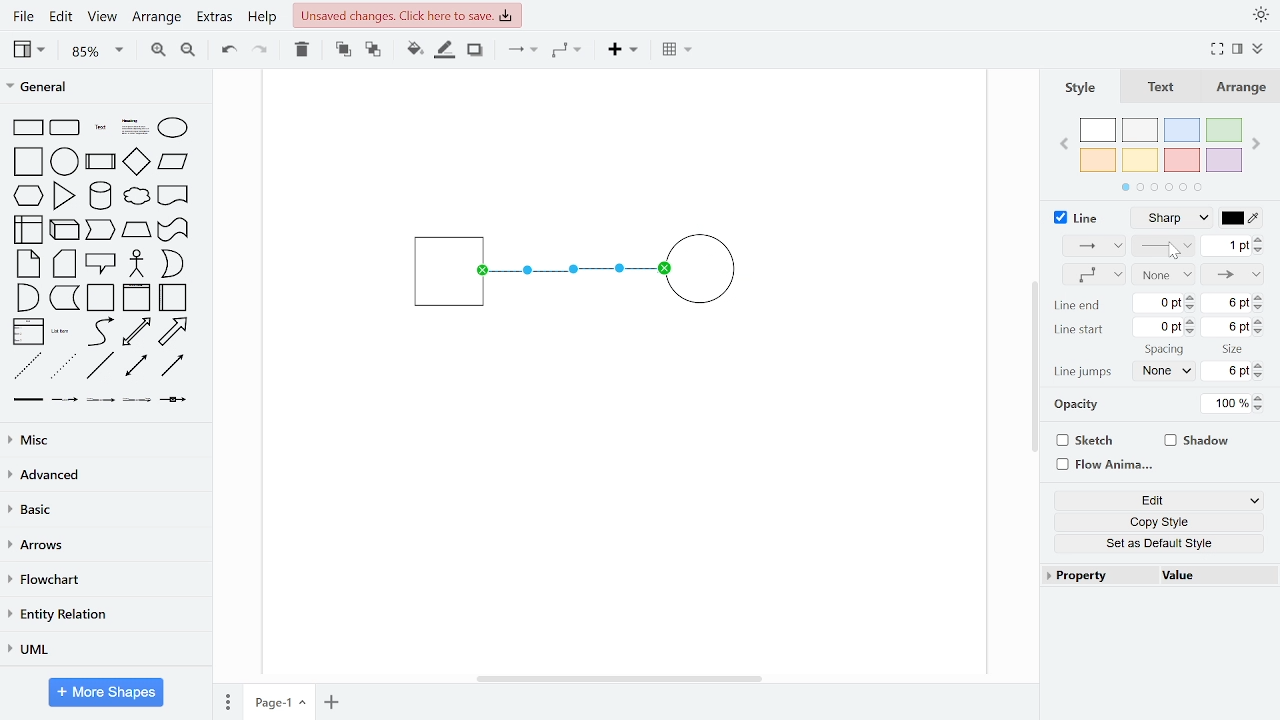  Describe the element at coordinates (1232, 246) in the screenshot. I see `change line width` at that location.